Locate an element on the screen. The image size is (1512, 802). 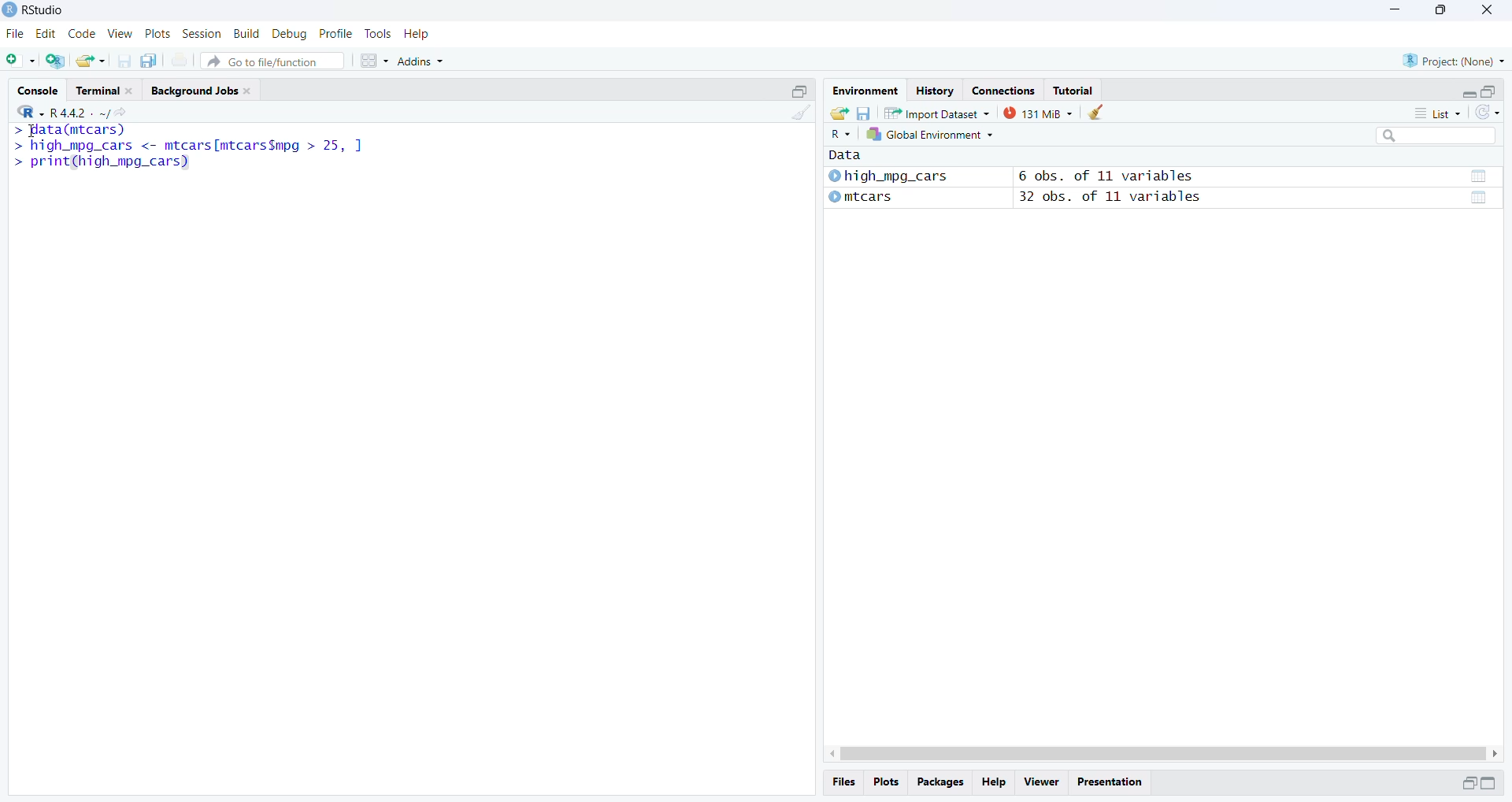
32 obs. of 11 variables is located at coordinates (1111, 197).